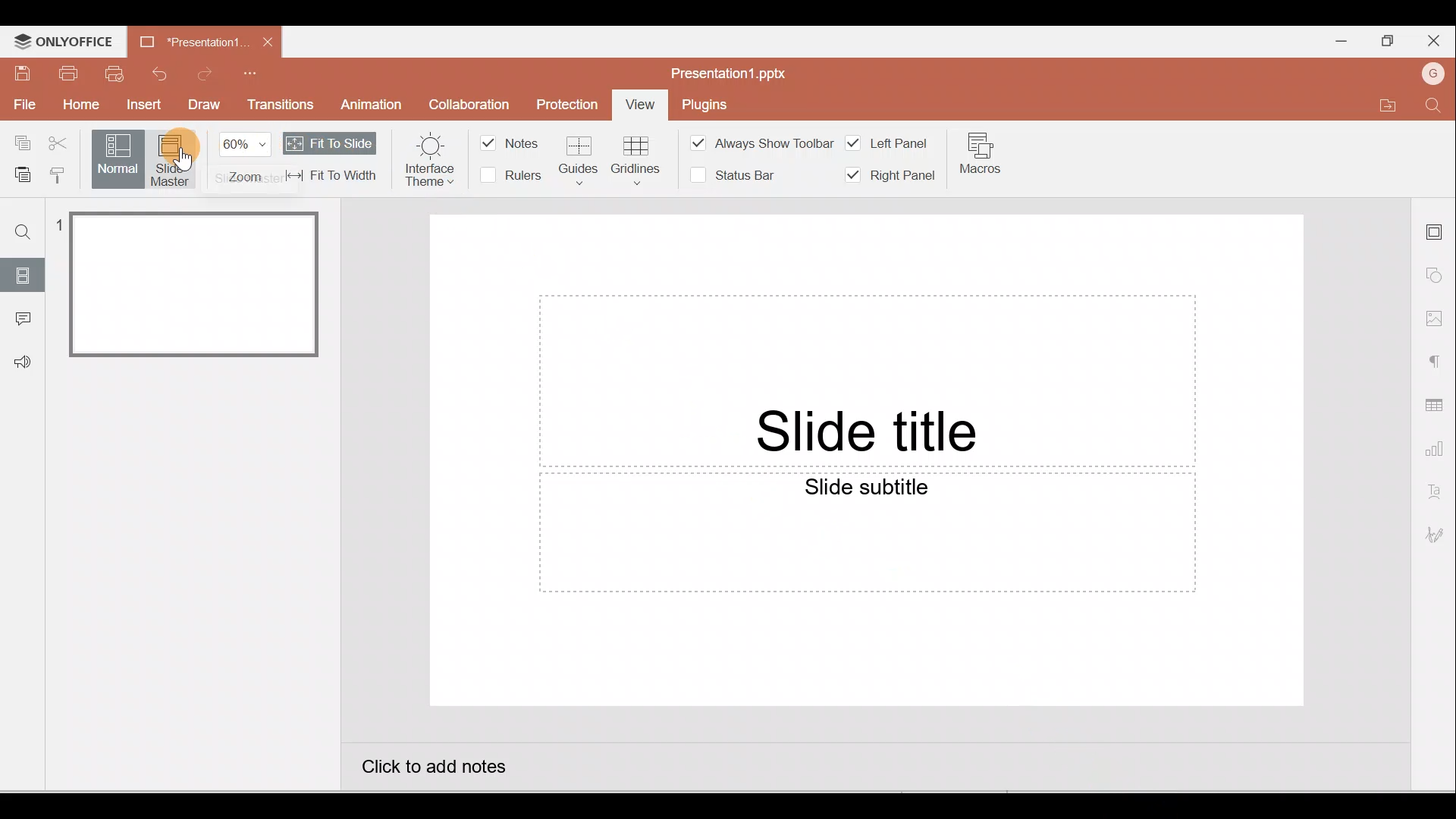  What do you see at coordinates (21, 231) in the screenshot?
I see `Find` at bounding box center [21, 231].